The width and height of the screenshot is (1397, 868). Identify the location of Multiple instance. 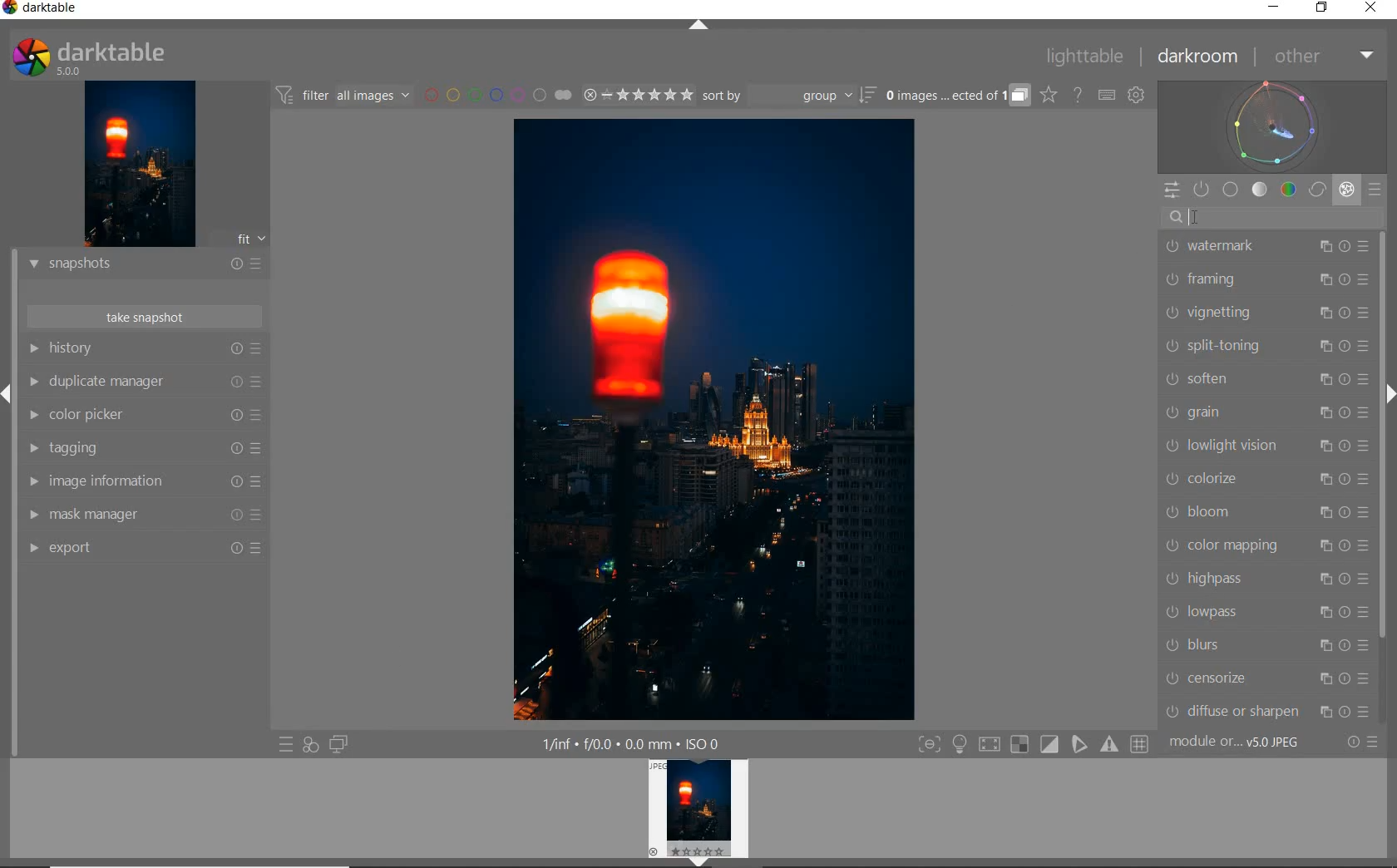
(1318, 614).